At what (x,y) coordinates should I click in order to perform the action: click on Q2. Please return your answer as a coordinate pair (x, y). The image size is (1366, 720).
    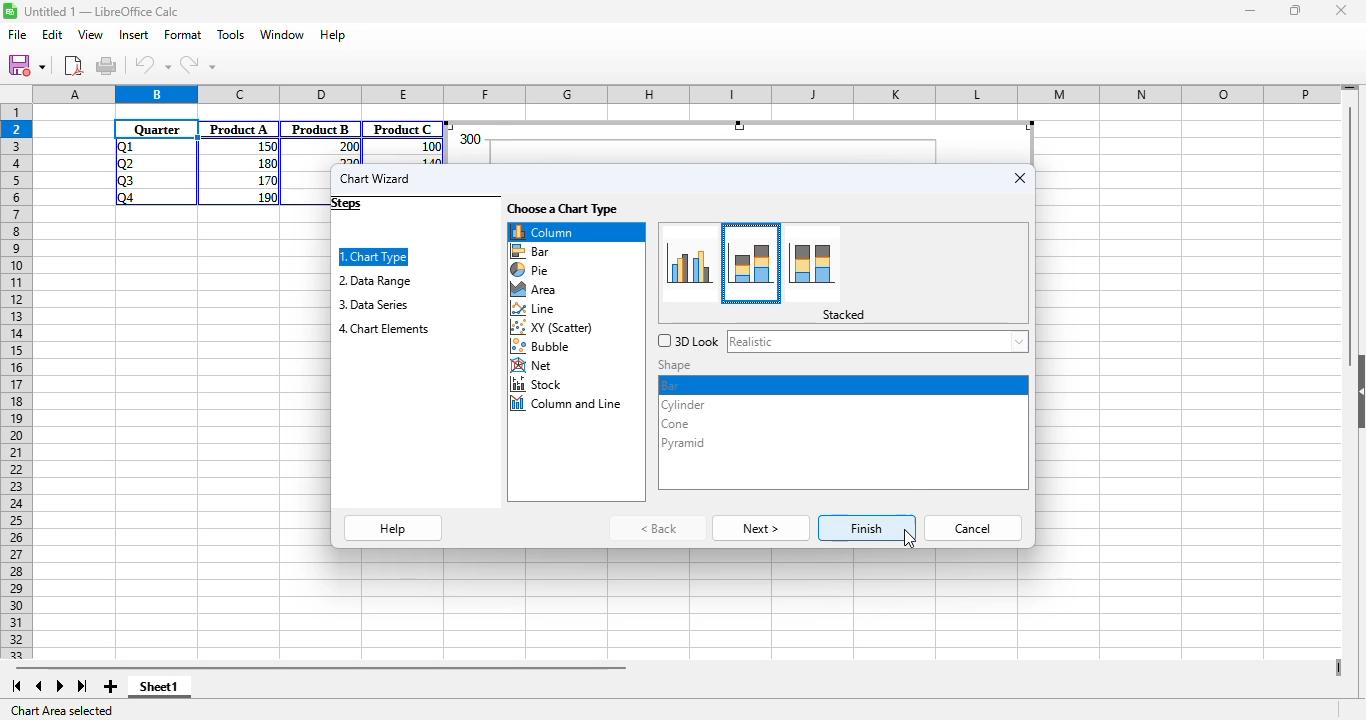
    Looking at the image, I should click on (126, 164).